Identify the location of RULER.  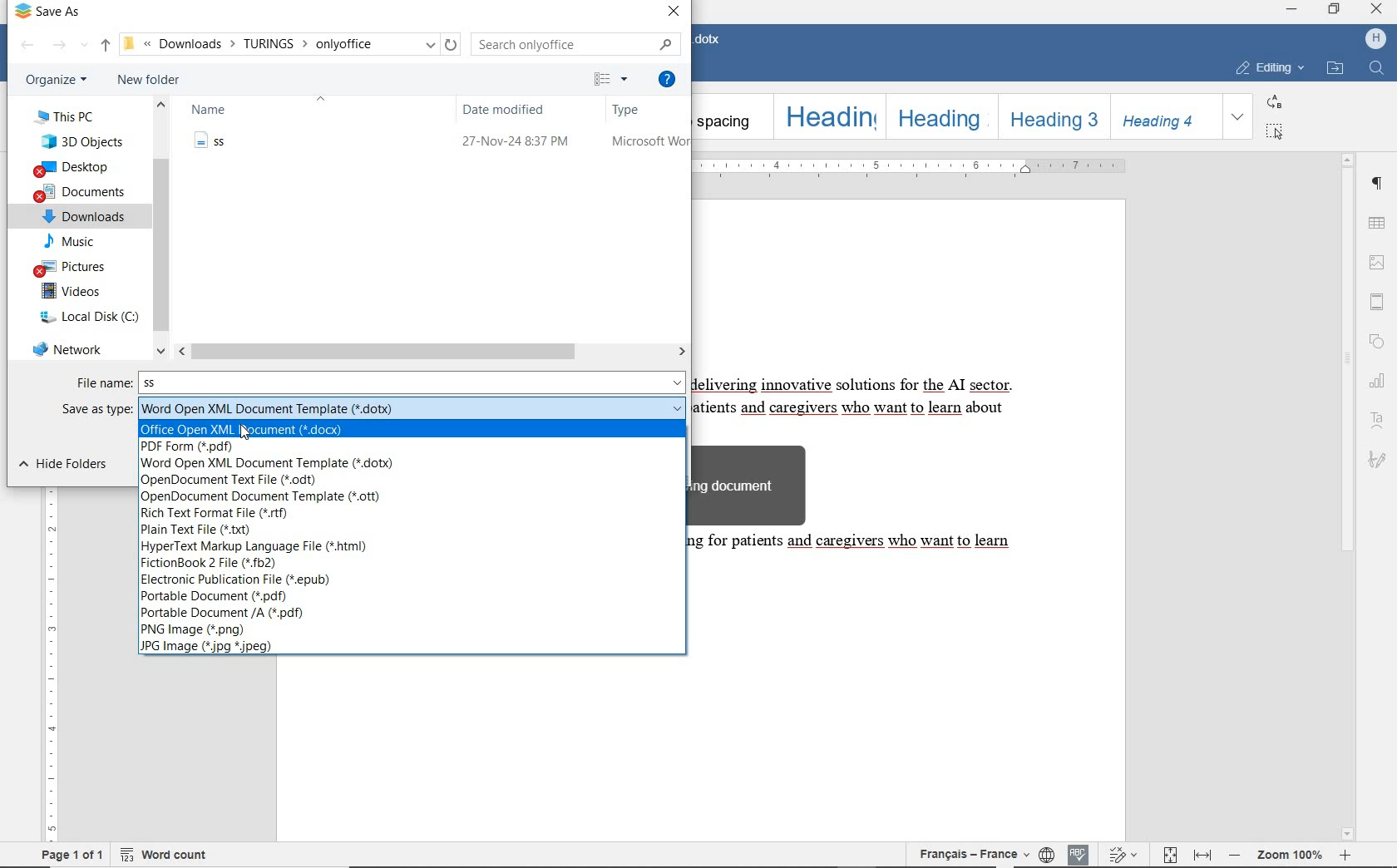
(916, 167).